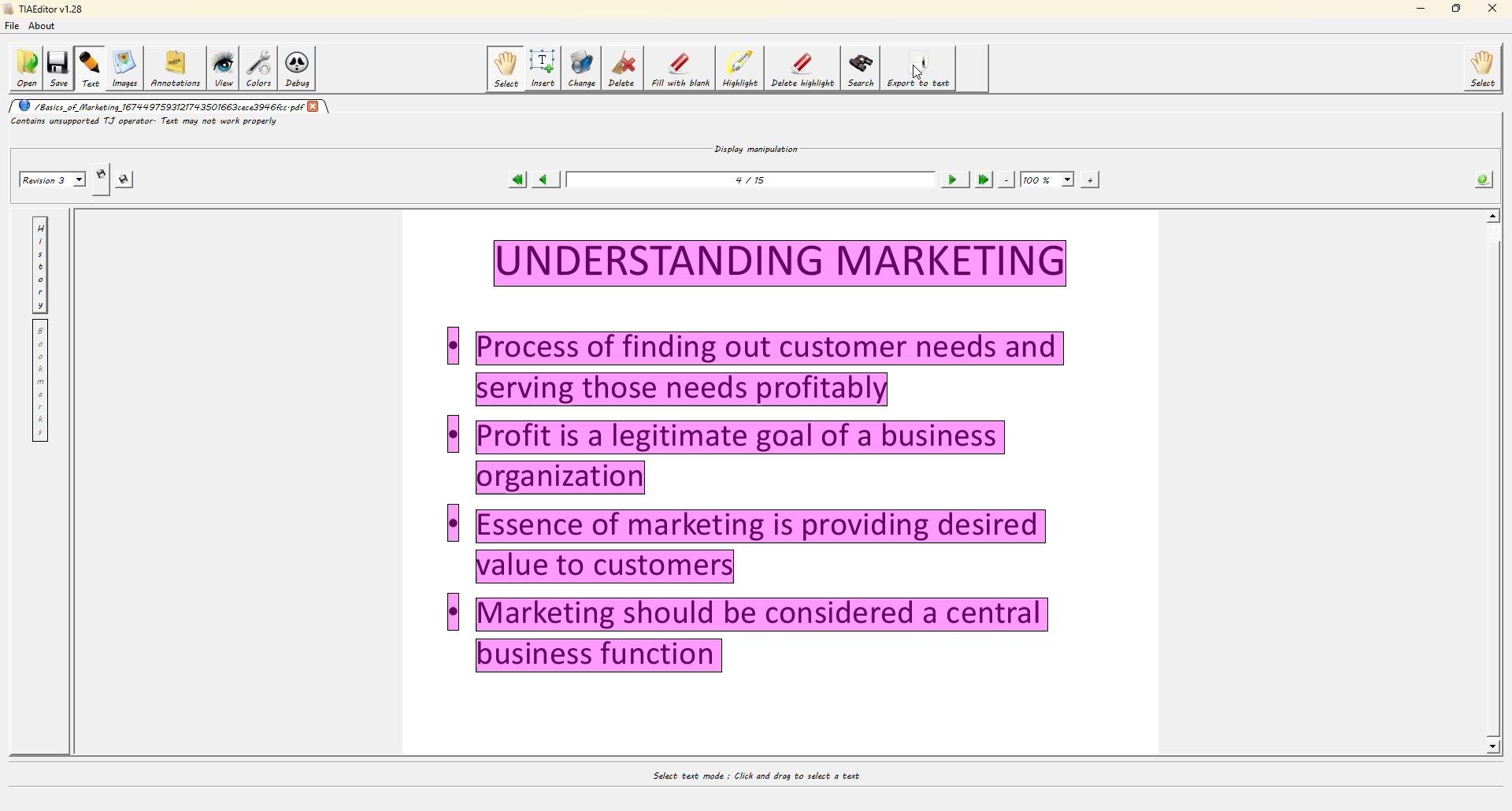 Image resolution: width=1512 pixels, height=811 pixels. Describe the element at coordinates (58, 69) in the screenshot. I see `save` at that location.